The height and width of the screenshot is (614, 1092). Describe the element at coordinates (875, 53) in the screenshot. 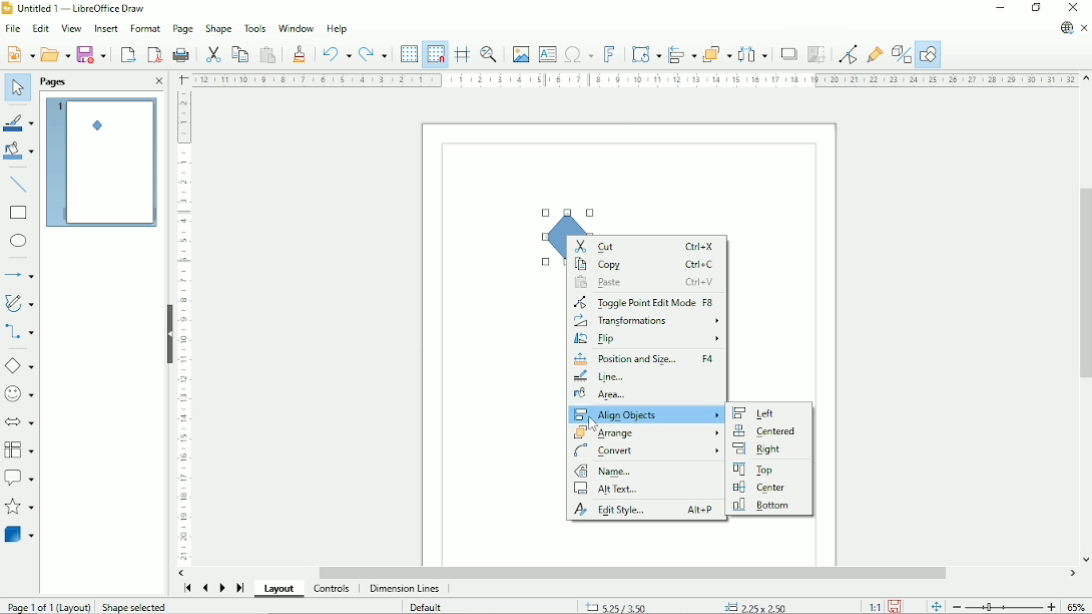

I see `Show gluepoint functions` at that location.